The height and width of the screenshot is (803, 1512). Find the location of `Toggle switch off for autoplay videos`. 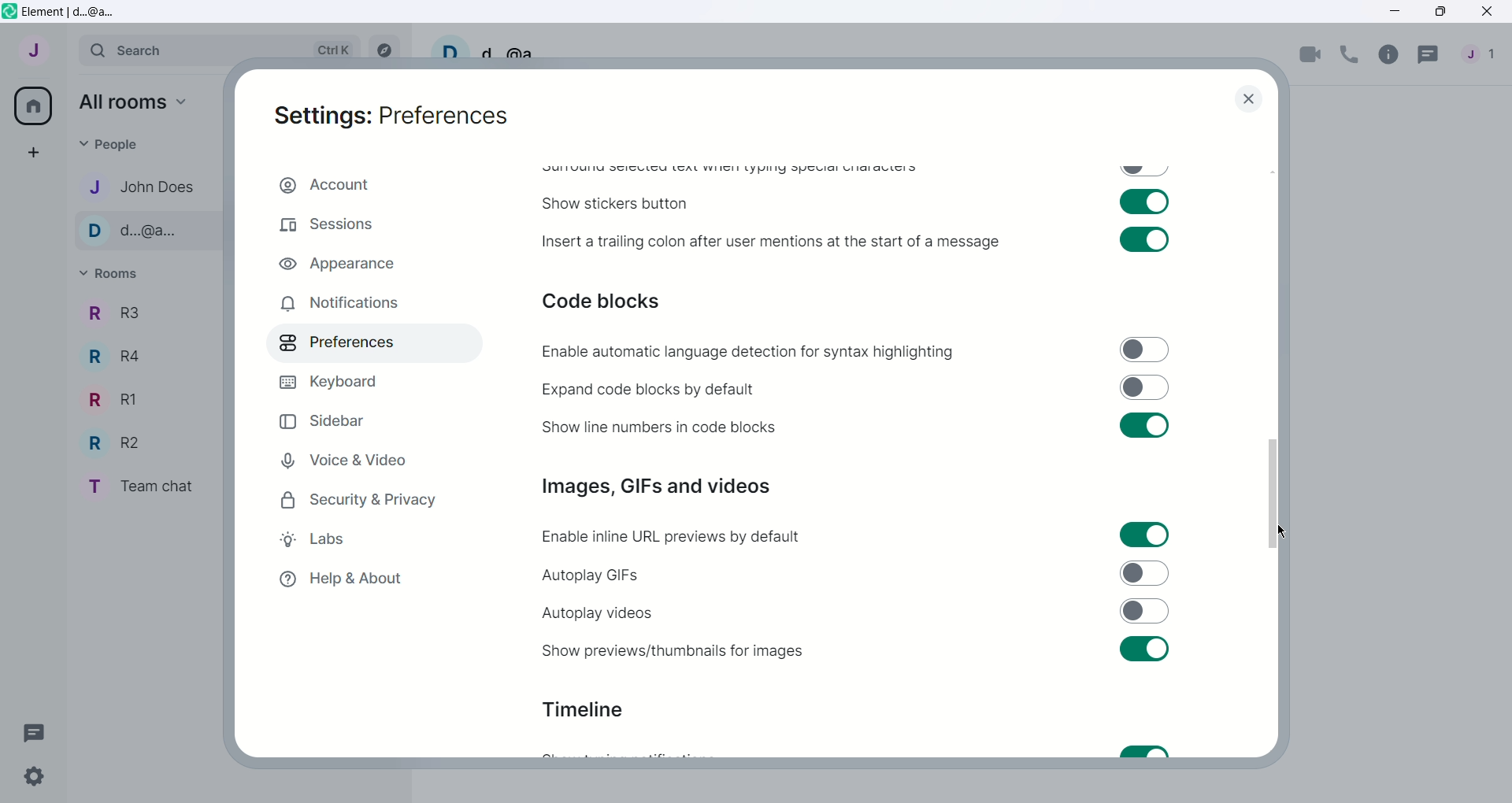

Toggle switch off for autoplay videos is located at coordinates (1145, 611).